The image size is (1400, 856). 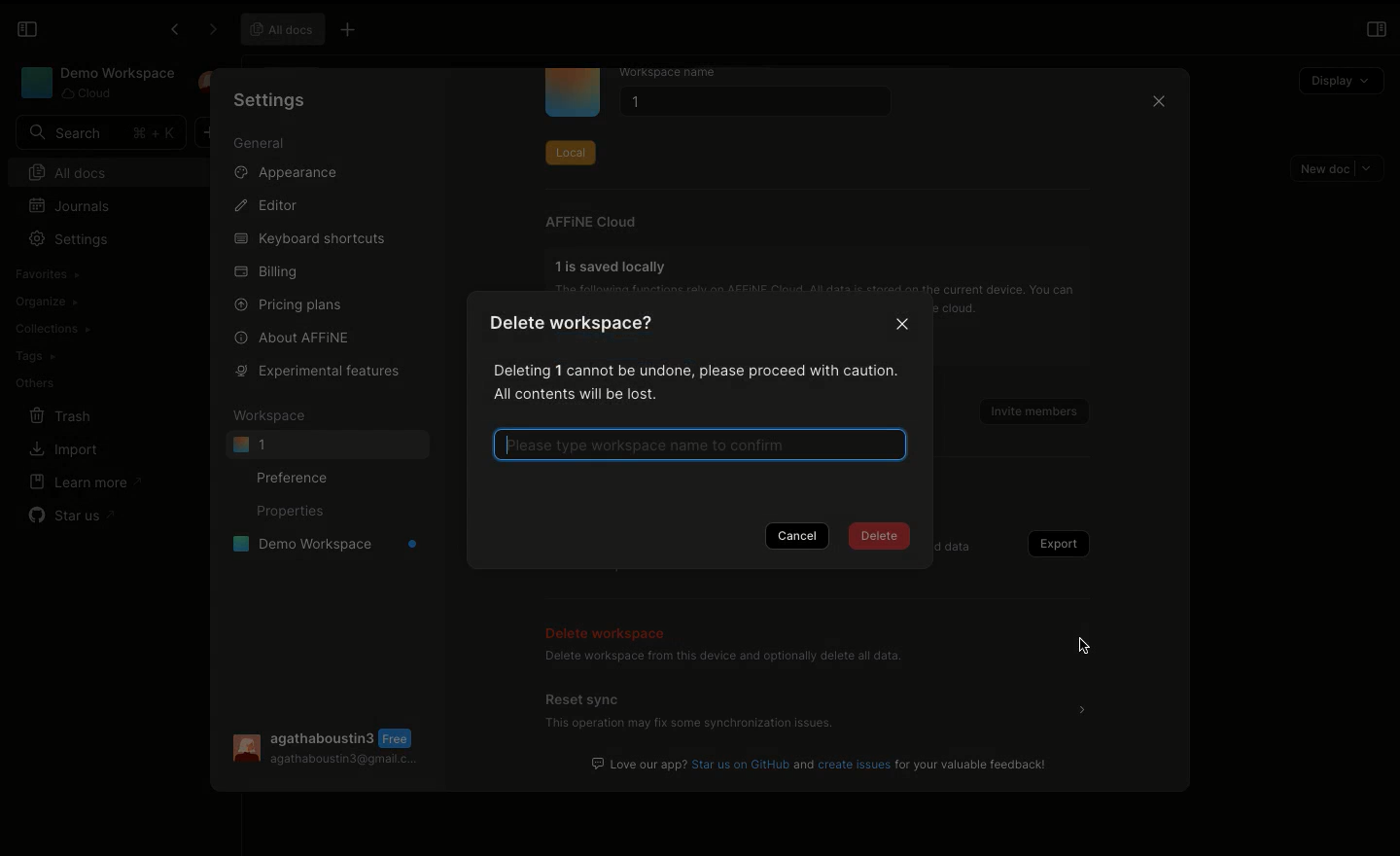 What do you see at coordinates (273, 415) in the screenshot?
I see `Workspace` at bounding box center [273, 415].